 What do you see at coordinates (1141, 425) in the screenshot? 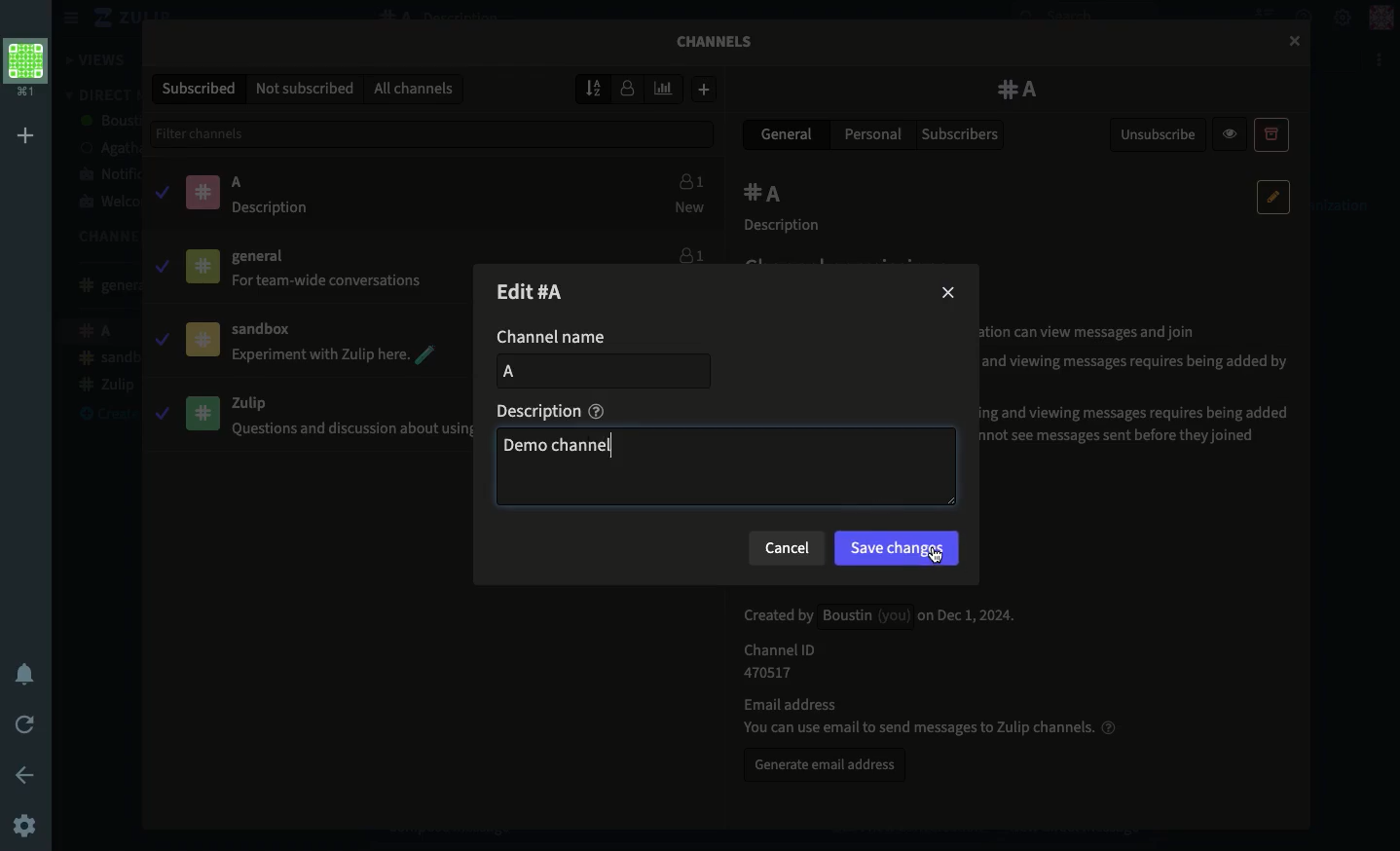
I see `© Private, protected history: Joining and viewing messages requires being added
by a subscriber; new subscribers cannot see messages sent before they joined` at bounding box center [1141, 425].